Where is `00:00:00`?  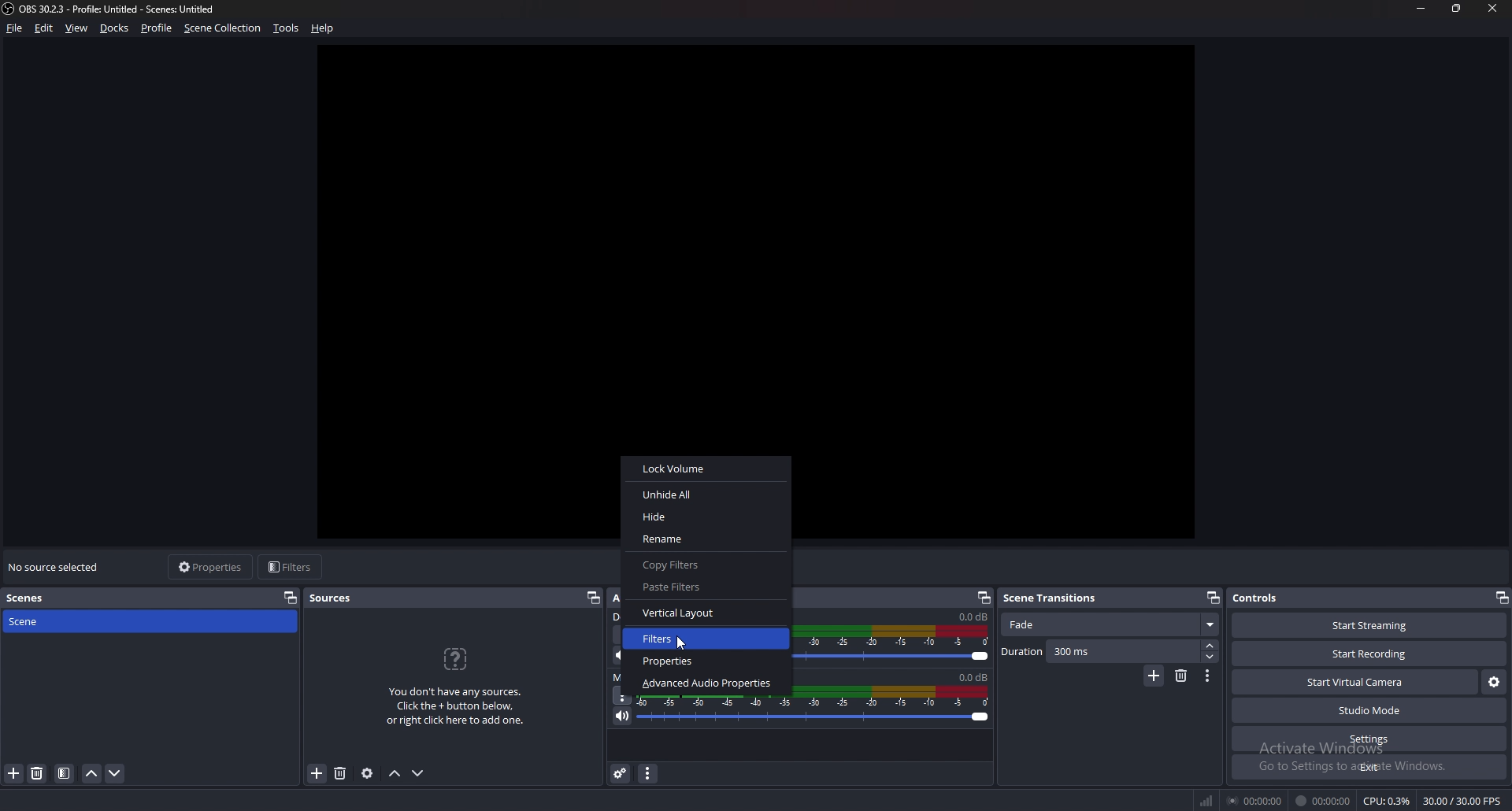
00:00:00 is located at coordinates (1324, 800).